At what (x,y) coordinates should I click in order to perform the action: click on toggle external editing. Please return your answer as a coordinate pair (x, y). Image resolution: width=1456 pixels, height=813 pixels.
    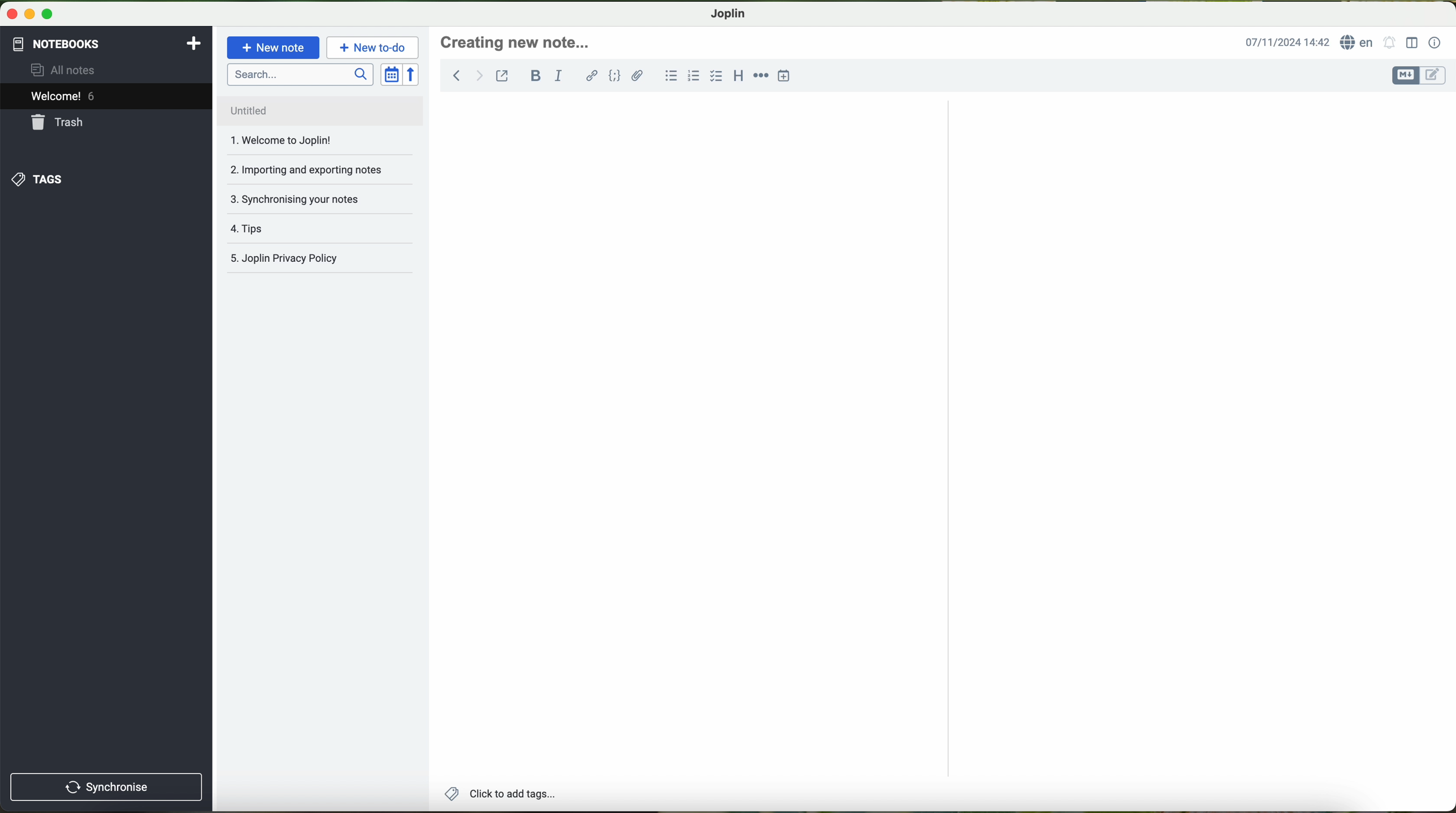
    Looking at the image, I should click on (503, 76).